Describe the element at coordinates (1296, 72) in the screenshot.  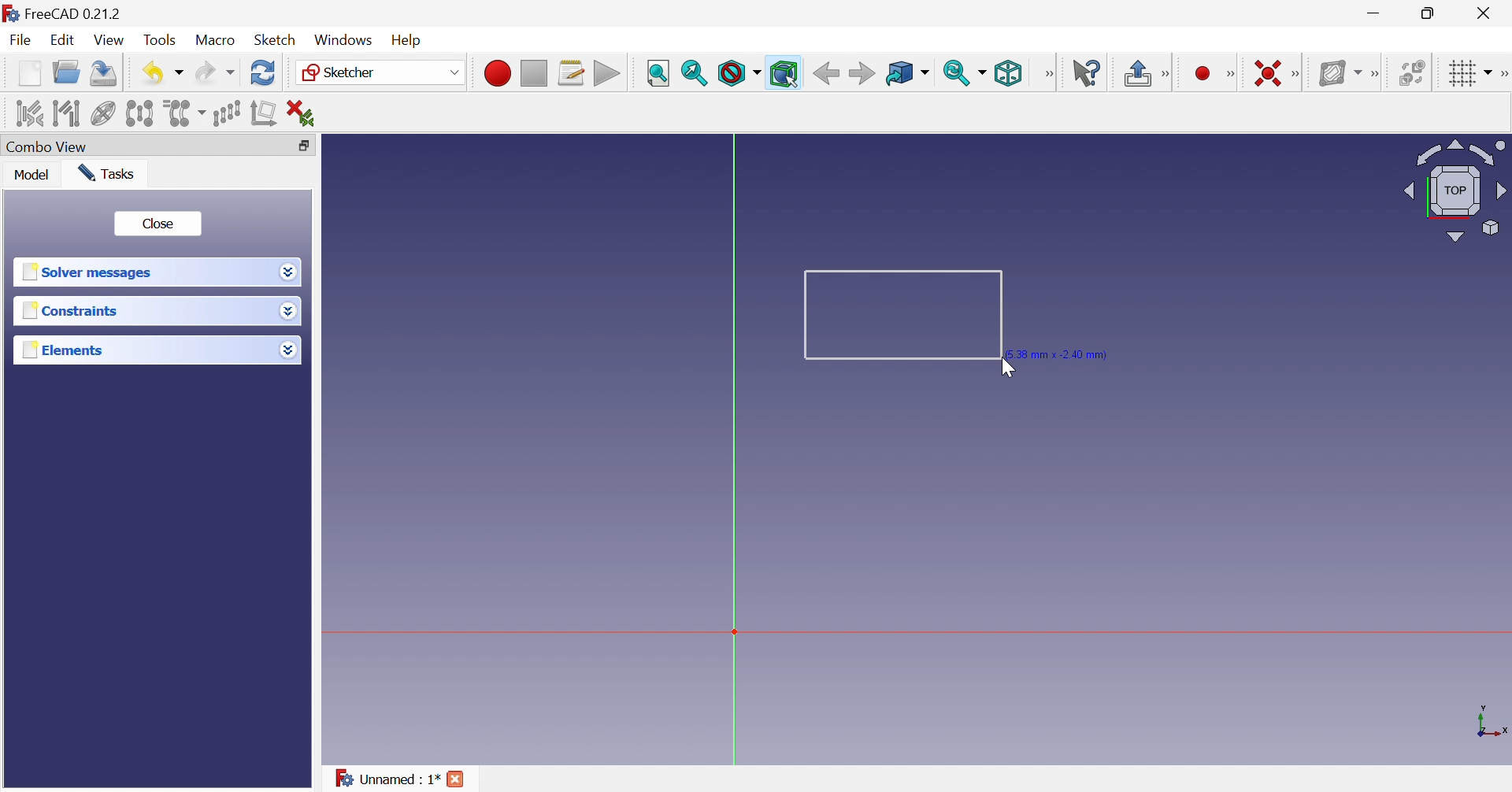
I see `Sketcher constraints` at that location.